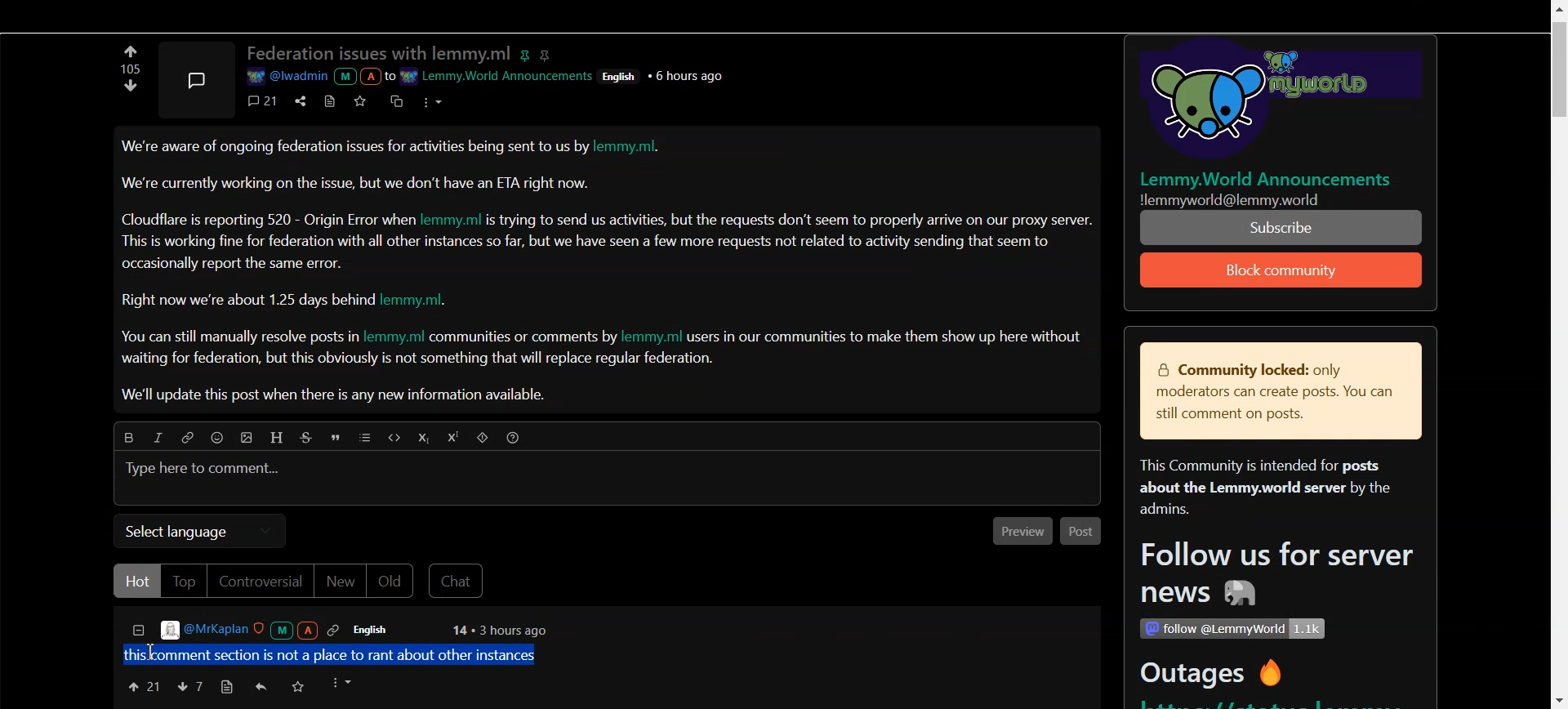 The image size is (1568, 709). I want to click on Text, so click(127, 69).